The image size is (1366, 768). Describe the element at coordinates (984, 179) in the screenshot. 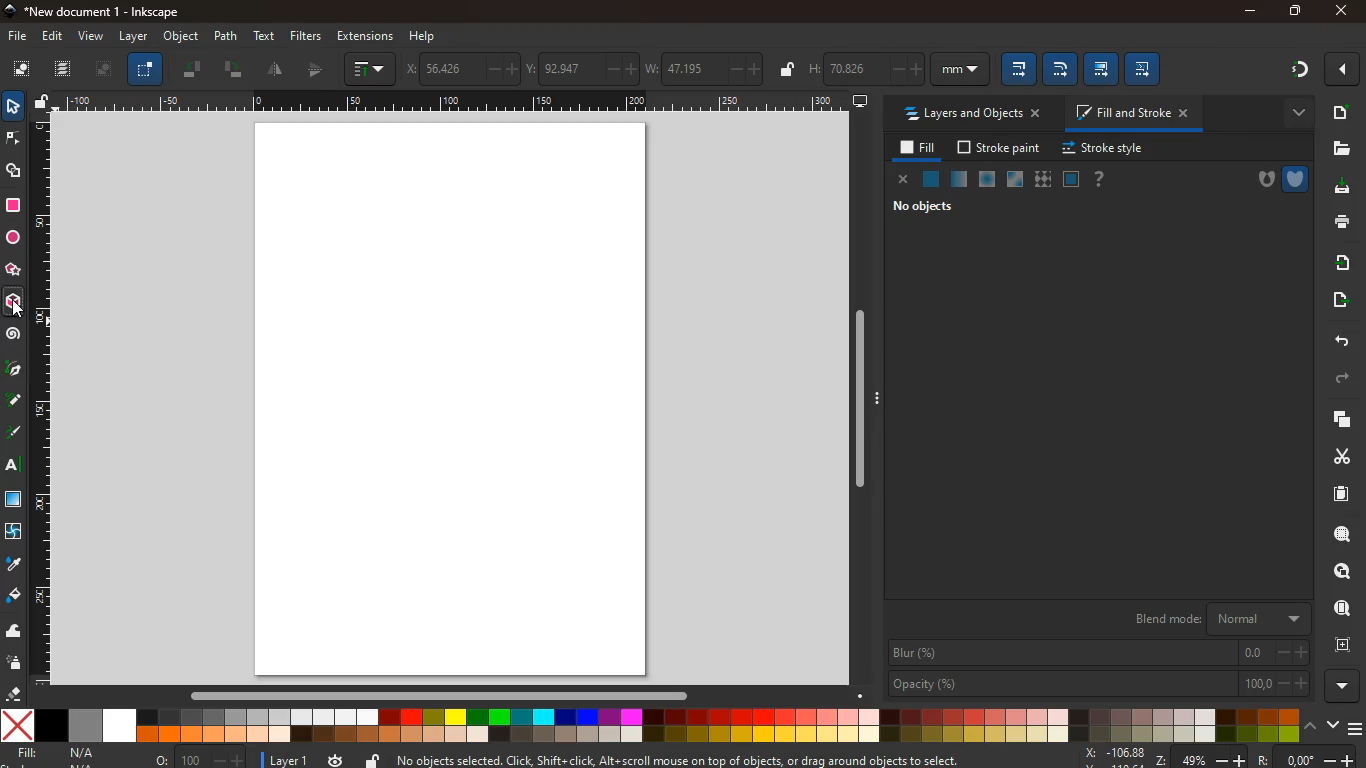

I see `ice` at that location.